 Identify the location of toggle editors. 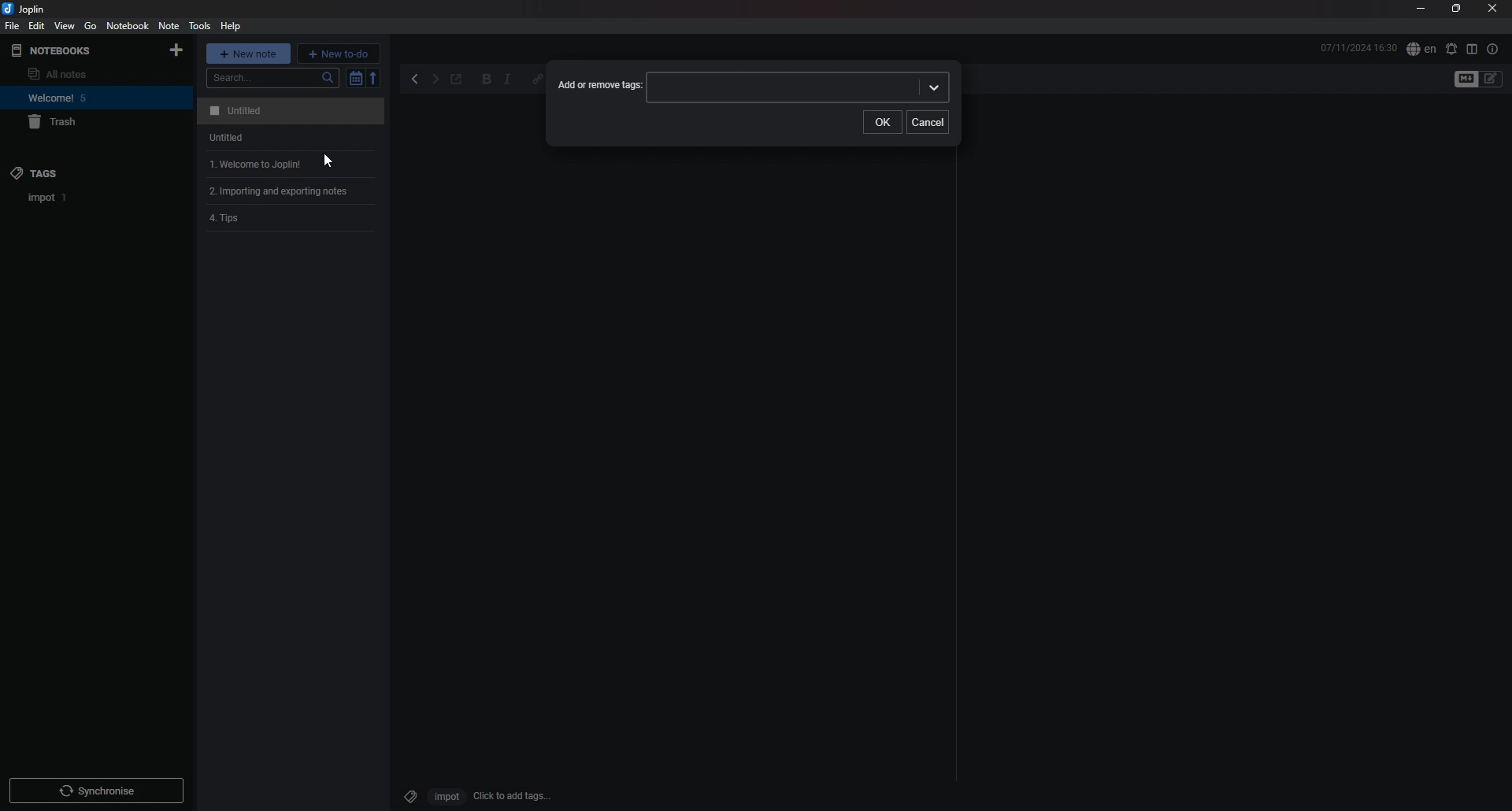
(1492, 79).